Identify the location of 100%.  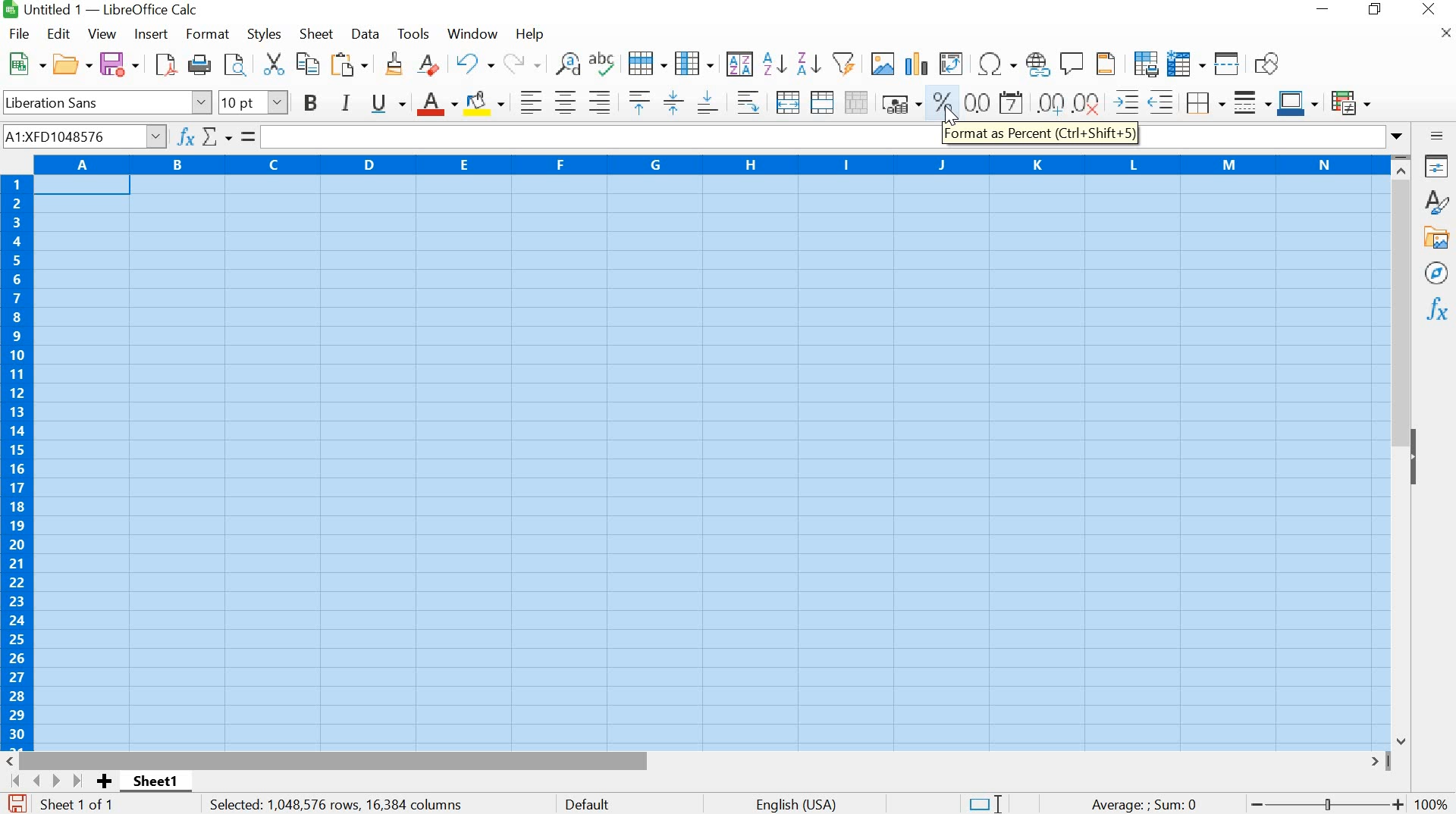
(1429, 801).